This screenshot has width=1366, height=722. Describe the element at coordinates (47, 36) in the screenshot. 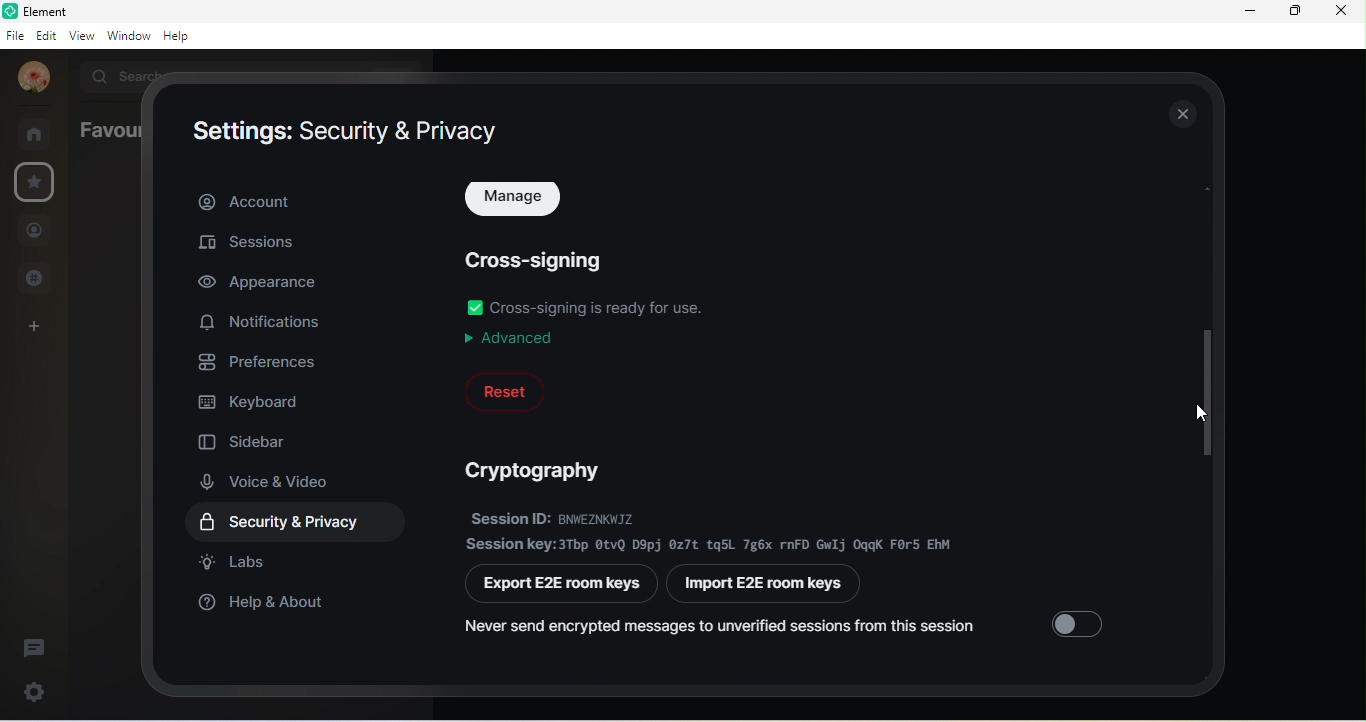

I see `edit` at that location.